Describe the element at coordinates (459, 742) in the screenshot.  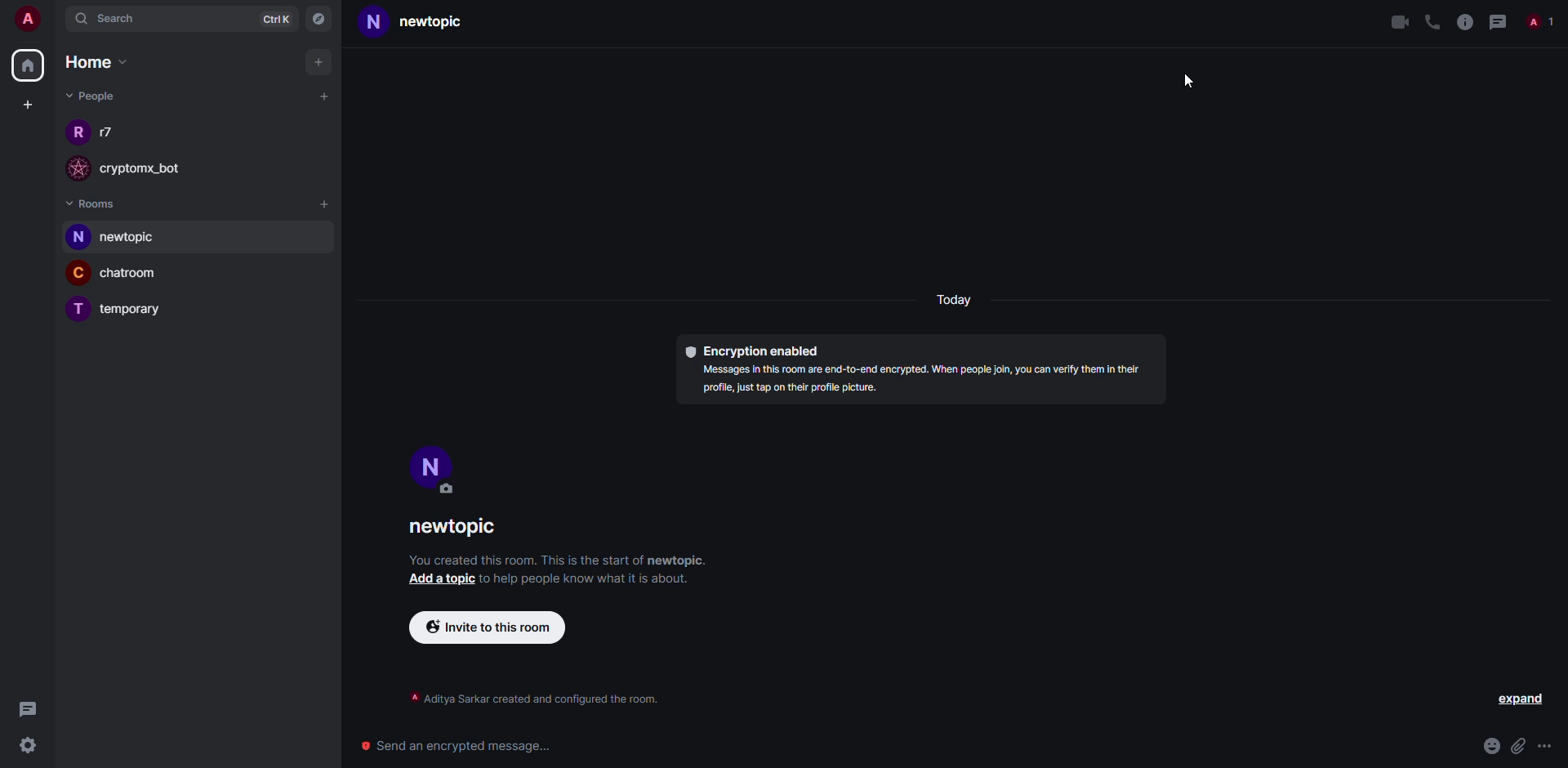
I see `send encrypted message` at that location.